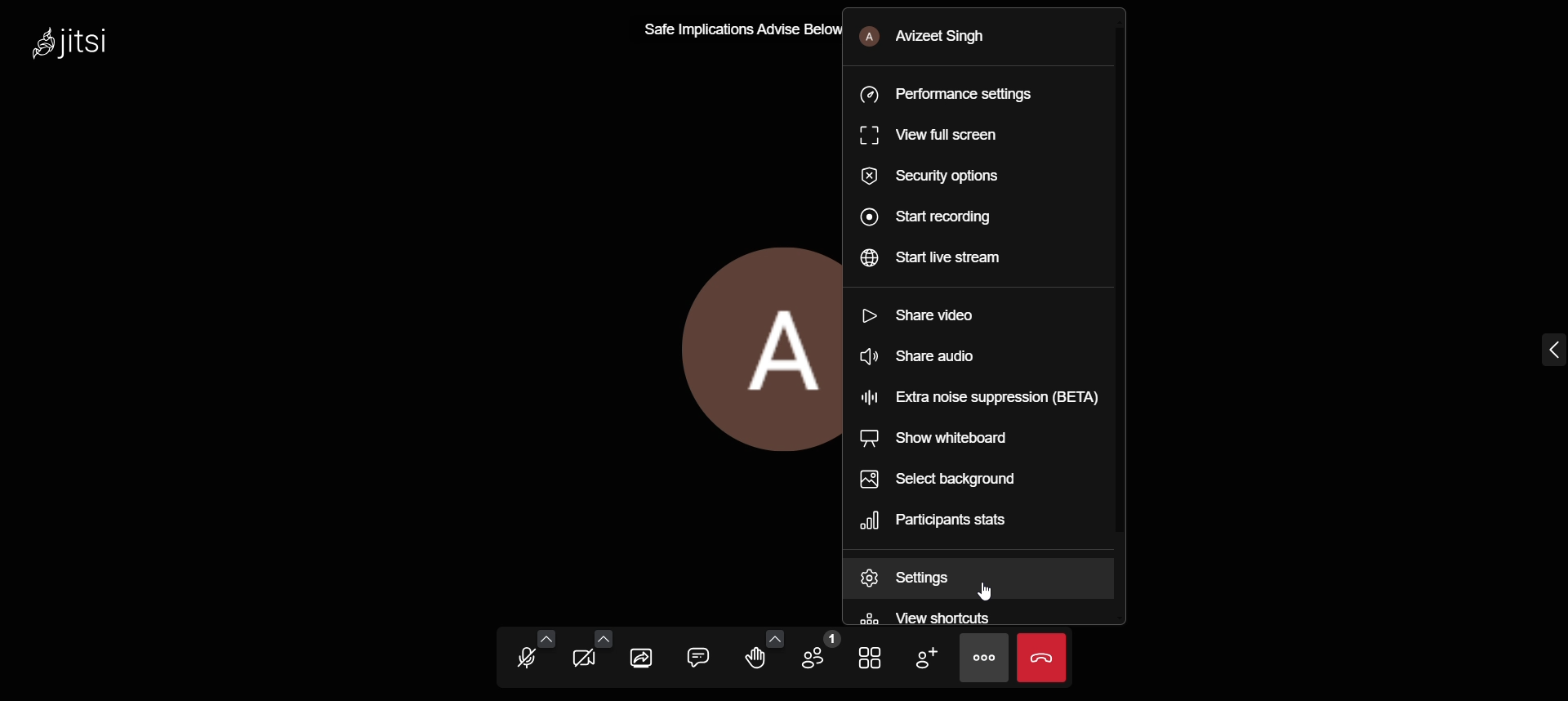 Image resolution: width=1568 pixels, height=701 pixels. I want to click on security option, so click(950, 178).